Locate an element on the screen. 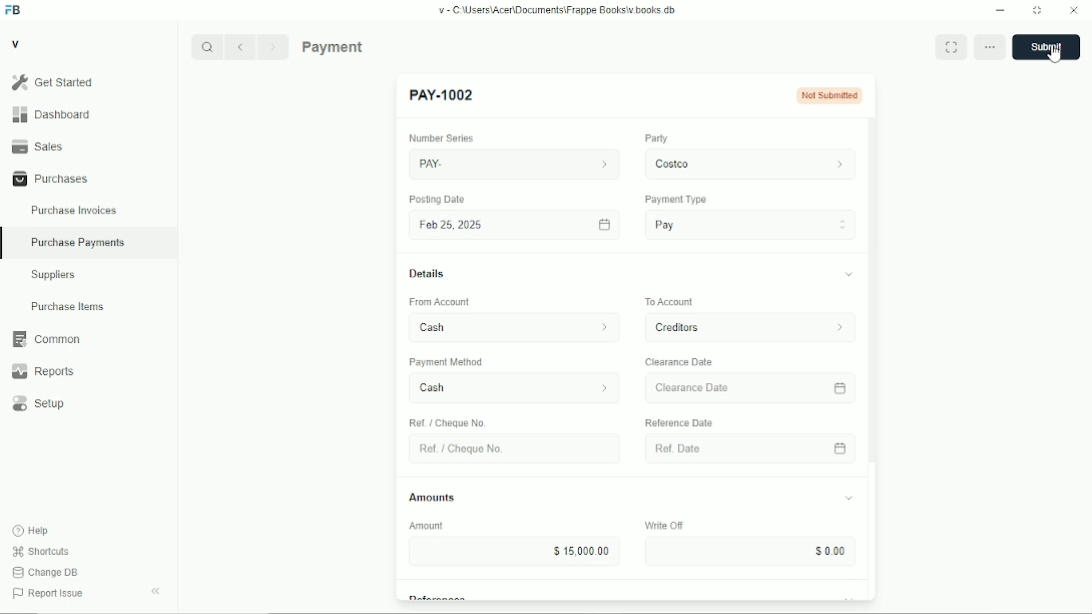  Report Issue is located at coordinates (49, 593).